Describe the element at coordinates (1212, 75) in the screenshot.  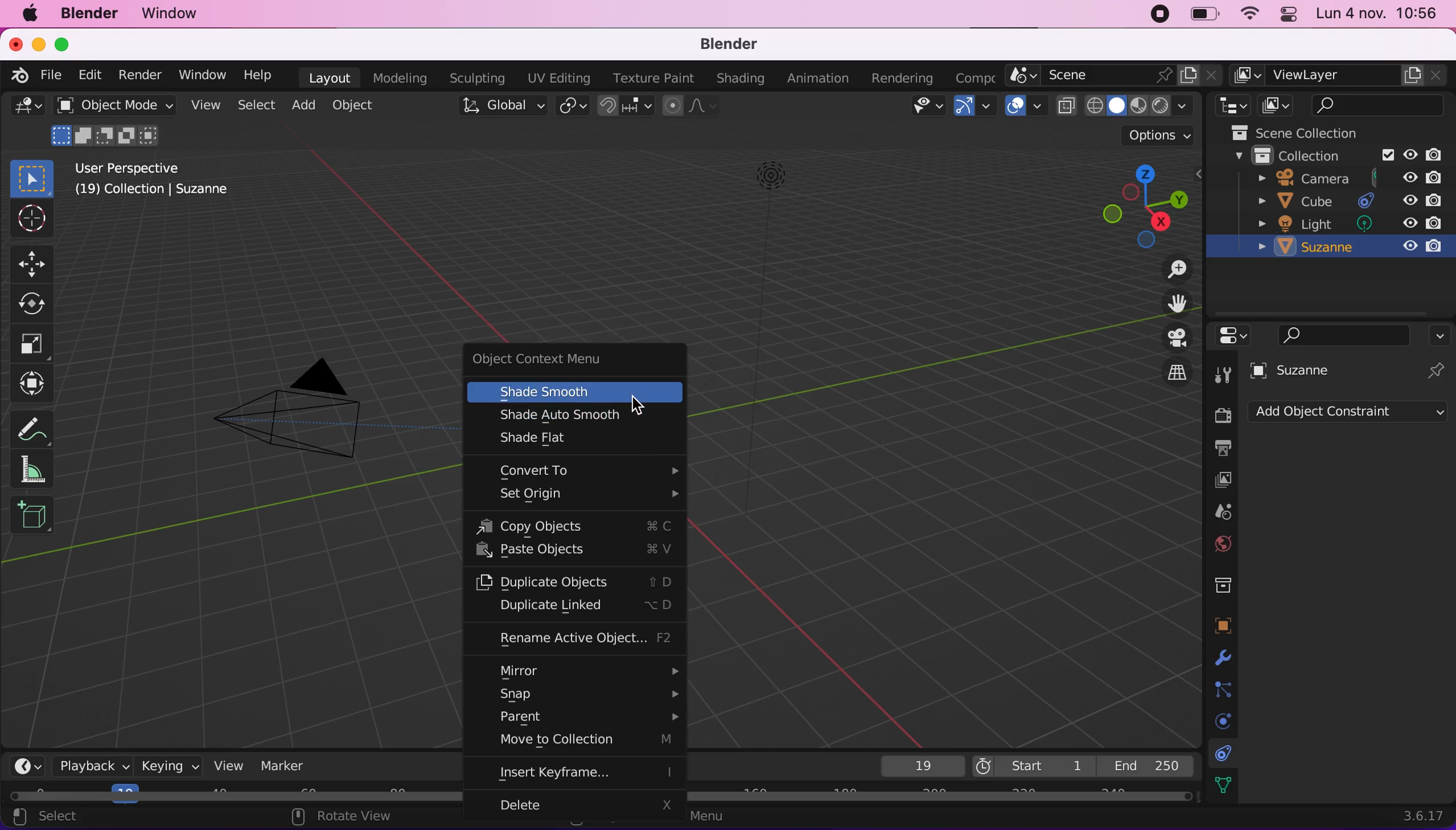
I see `close` at that location.